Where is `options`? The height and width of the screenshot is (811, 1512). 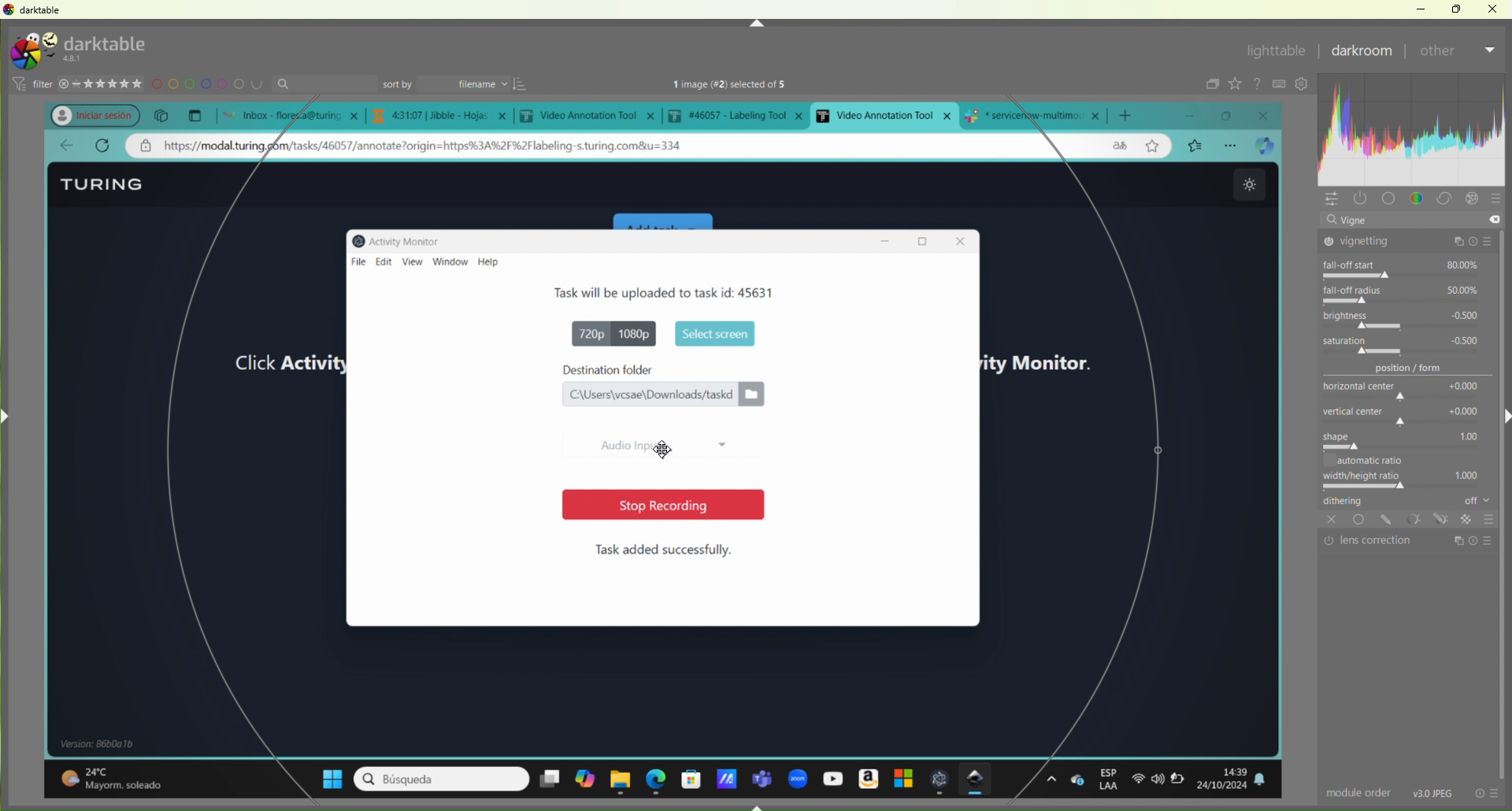
options is located at coordinates (1232, 145).